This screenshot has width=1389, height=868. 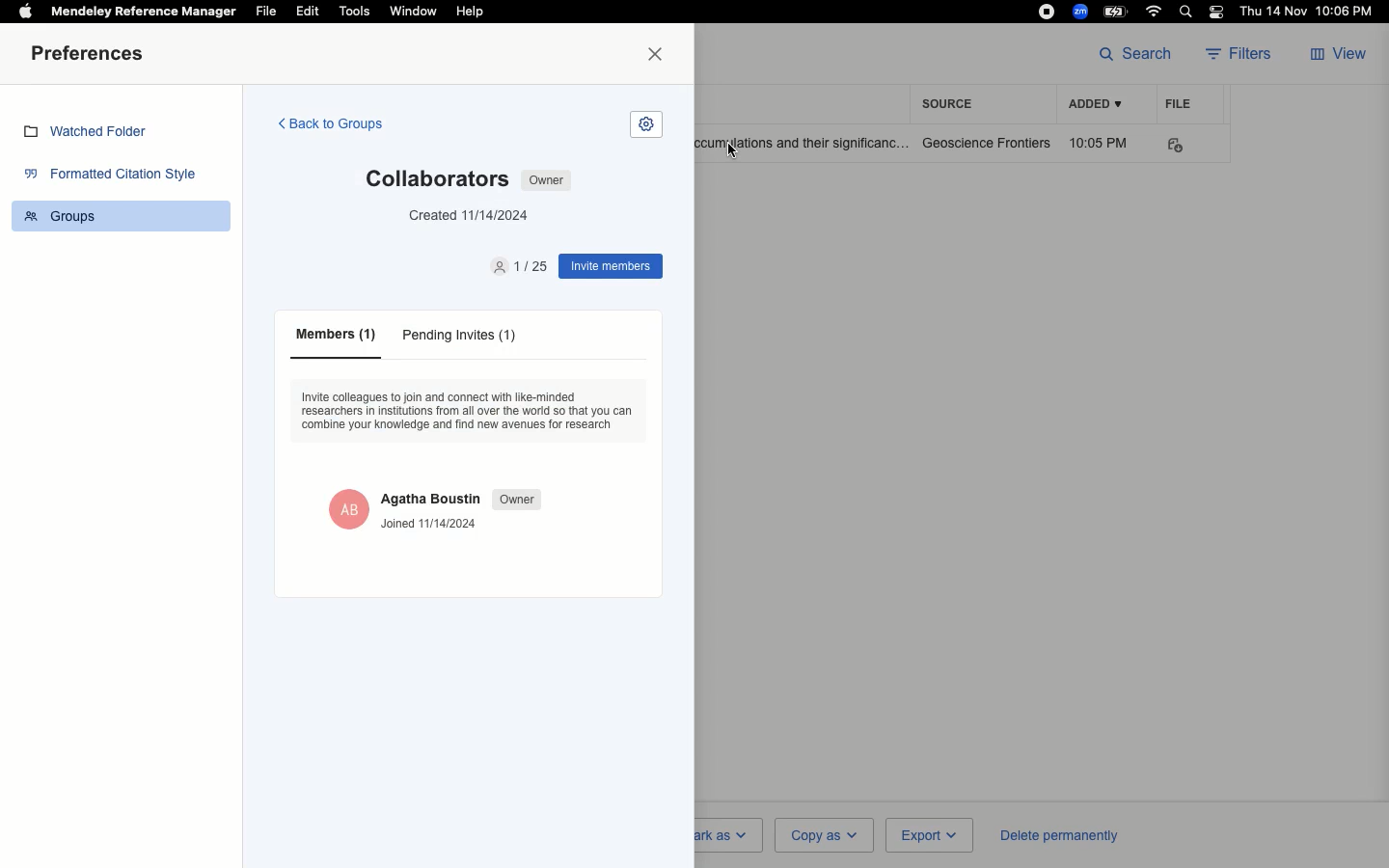 I want to click on Delete permanently, so click(x=1055, y=834).